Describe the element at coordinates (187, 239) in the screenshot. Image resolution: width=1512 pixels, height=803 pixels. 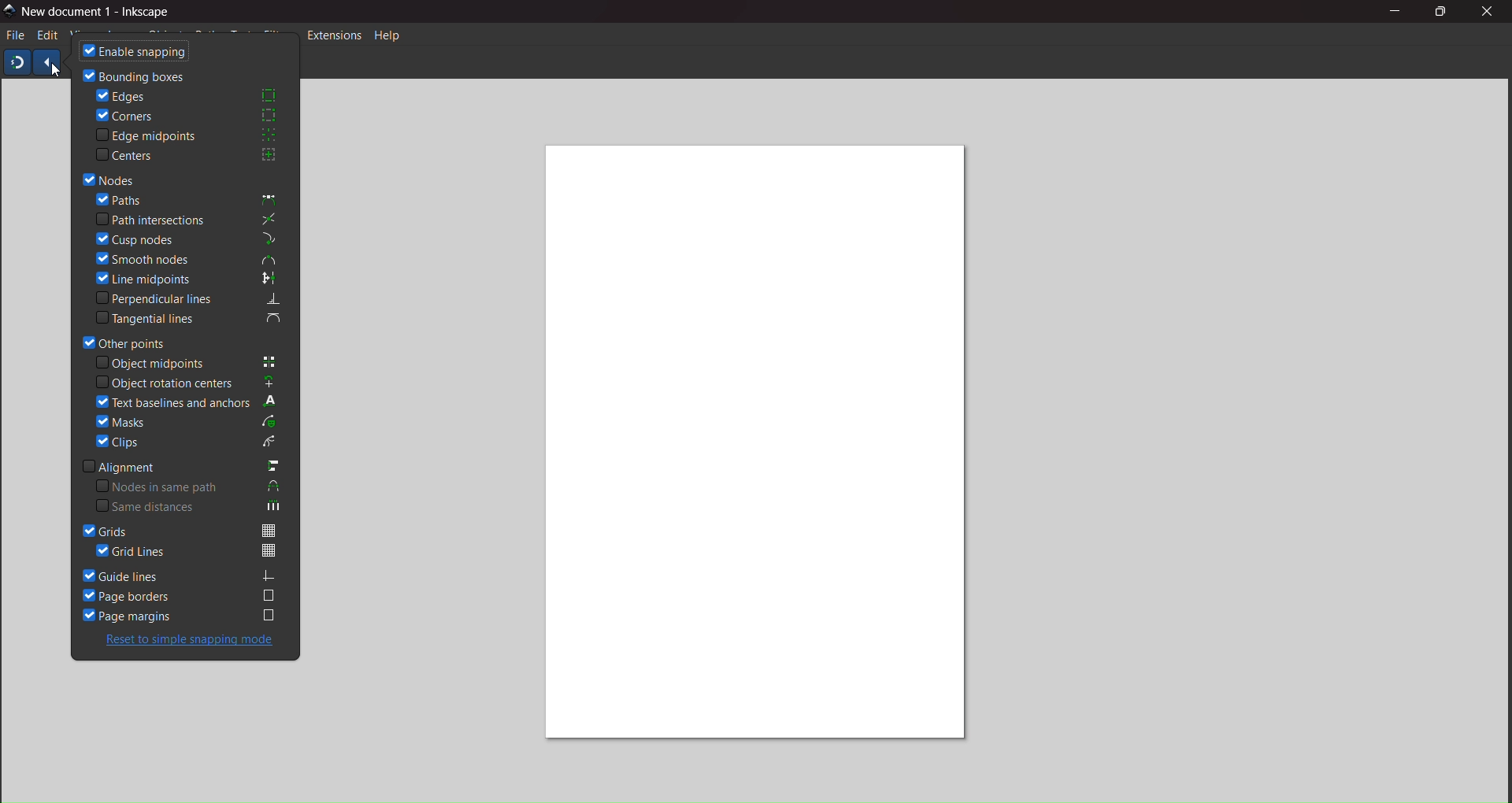
I see `cusp nodes` at that location.